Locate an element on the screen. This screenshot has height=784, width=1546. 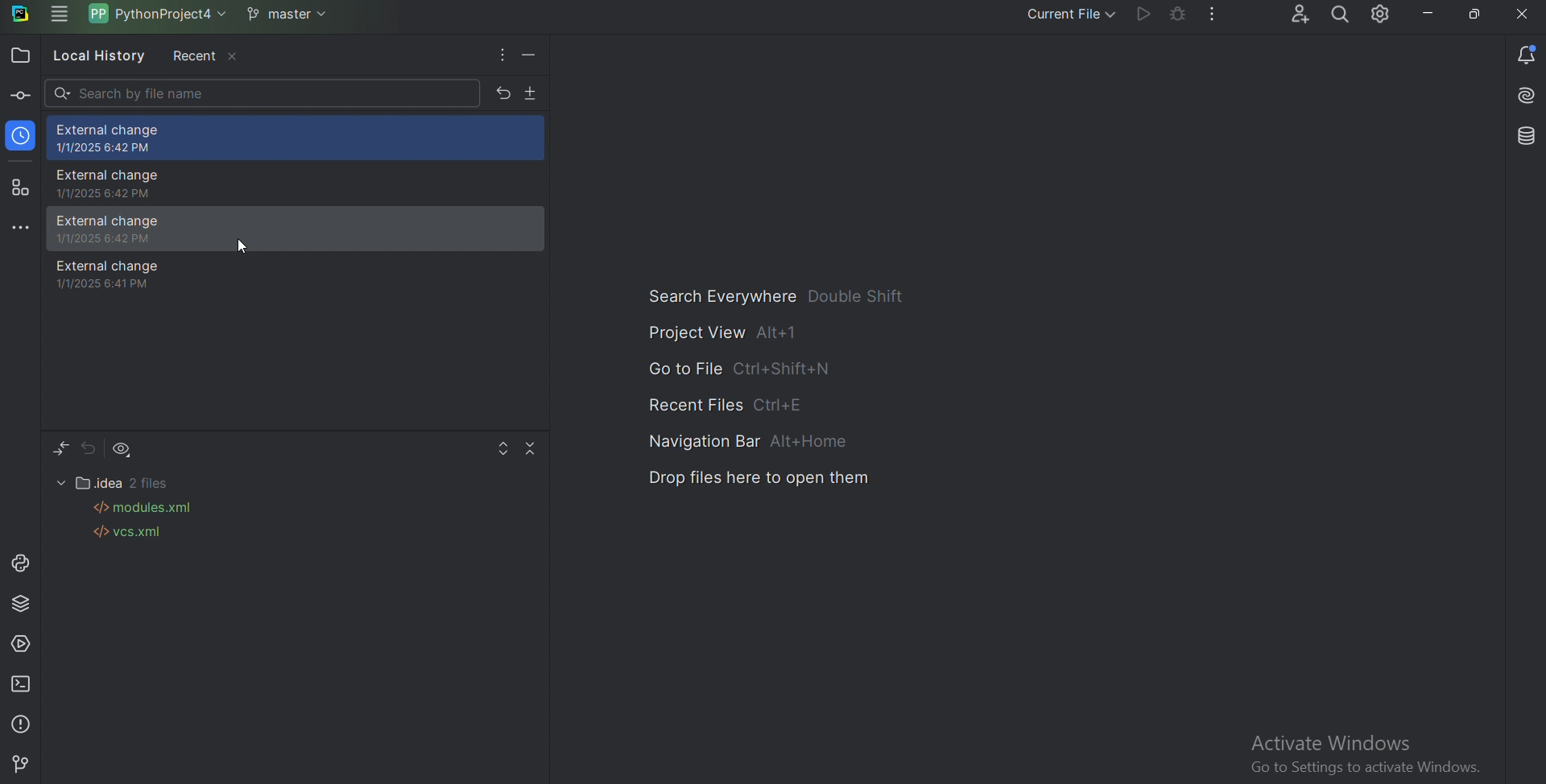
modules.xml is located at coordinates (147, 508).